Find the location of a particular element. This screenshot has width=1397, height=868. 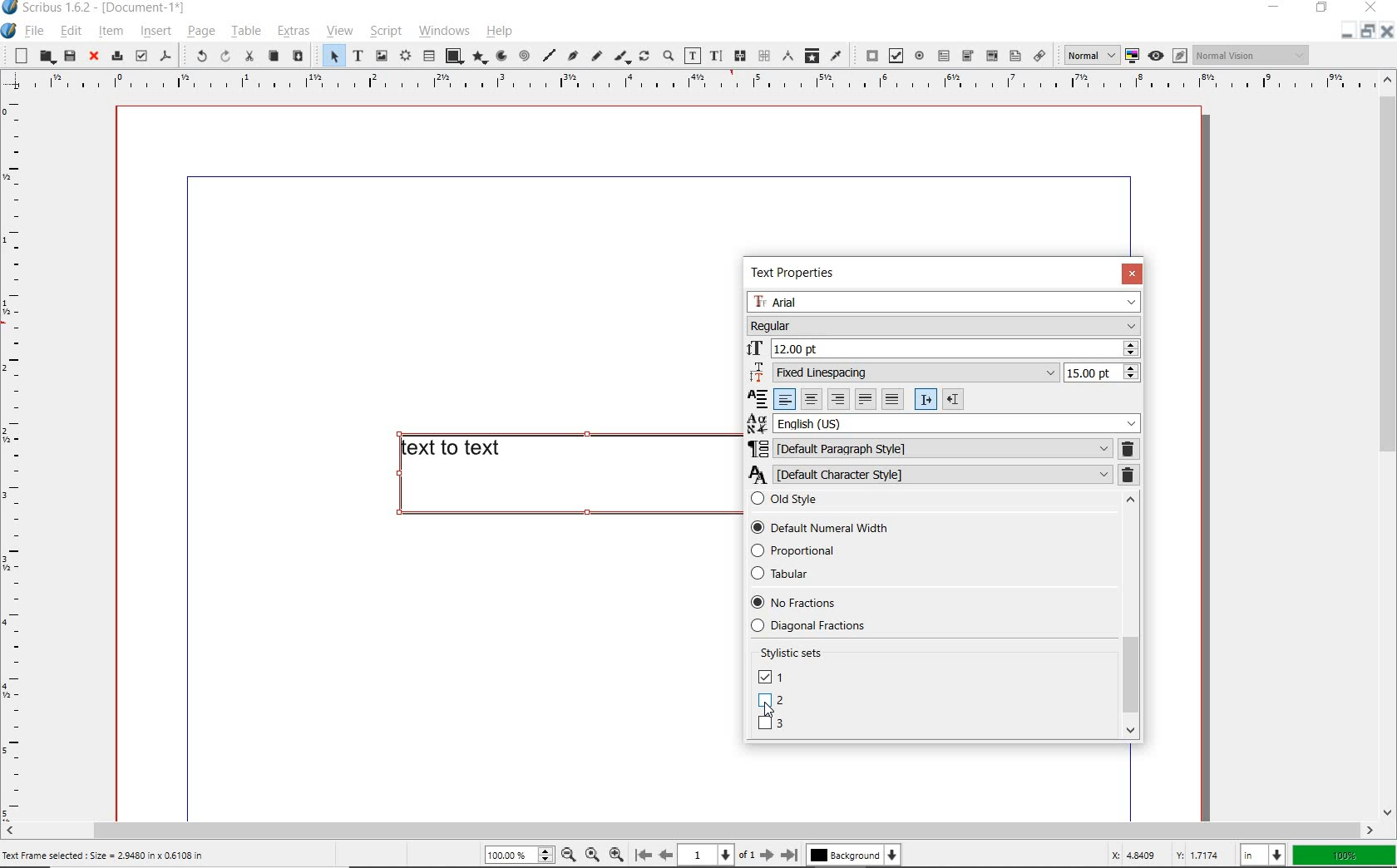

Zoom to 100% is located at coordinates (590, 854).